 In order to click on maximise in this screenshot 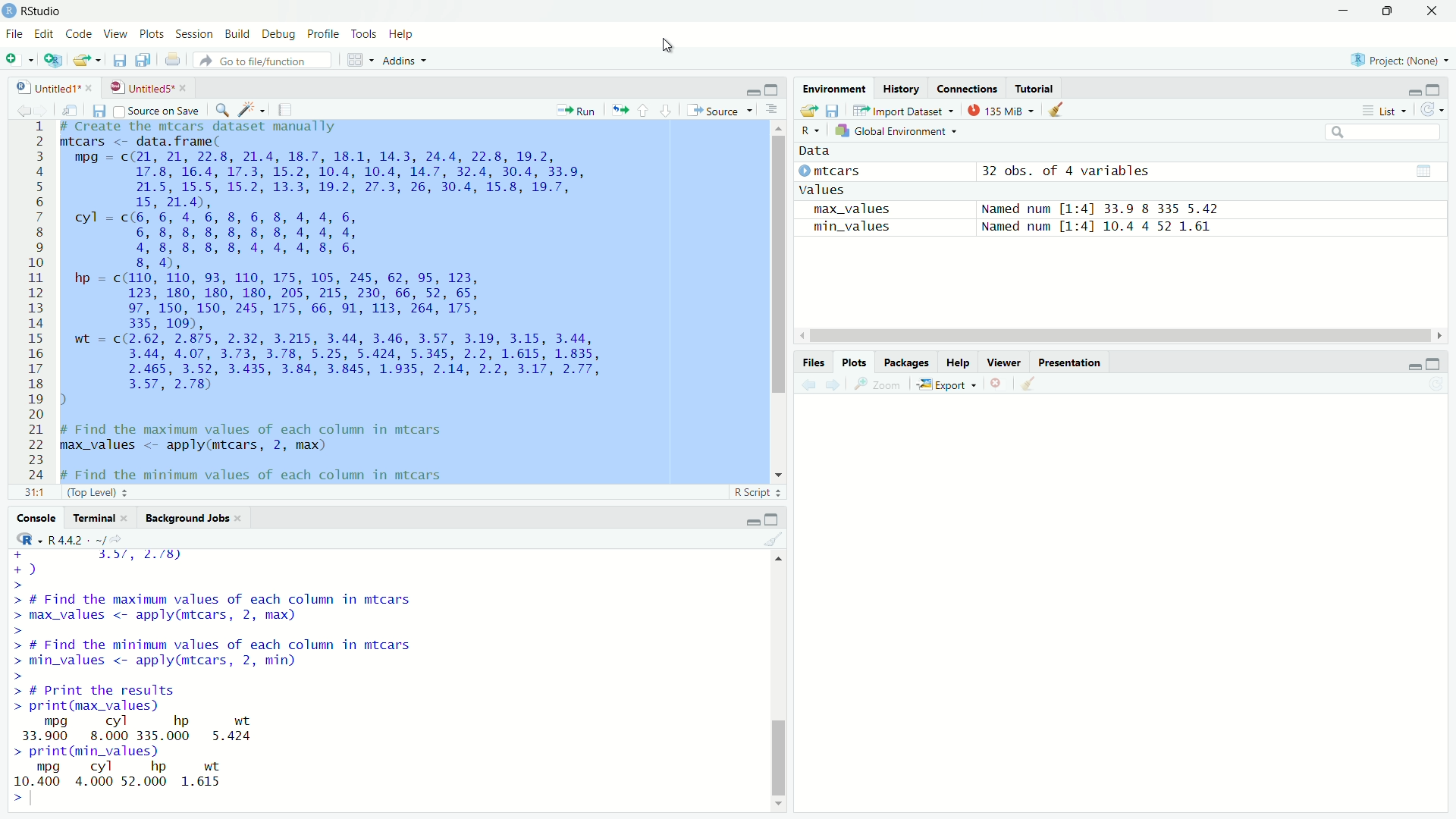, I will do `click(1393, 13)`.